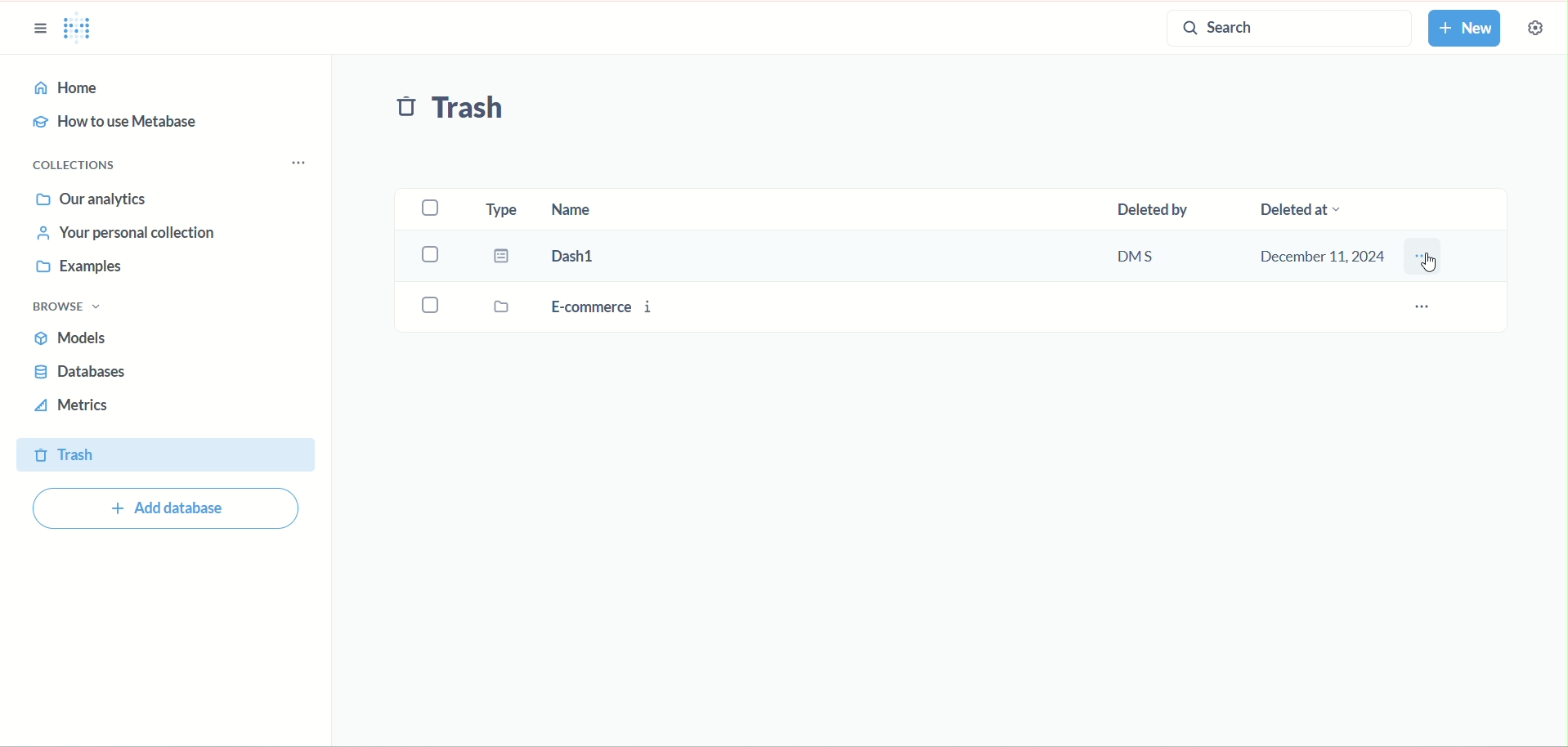 This screenshot has width=1568, height=747. Describe the element at coordinates (165, 88) in the screenshot. I see `home` at that location.